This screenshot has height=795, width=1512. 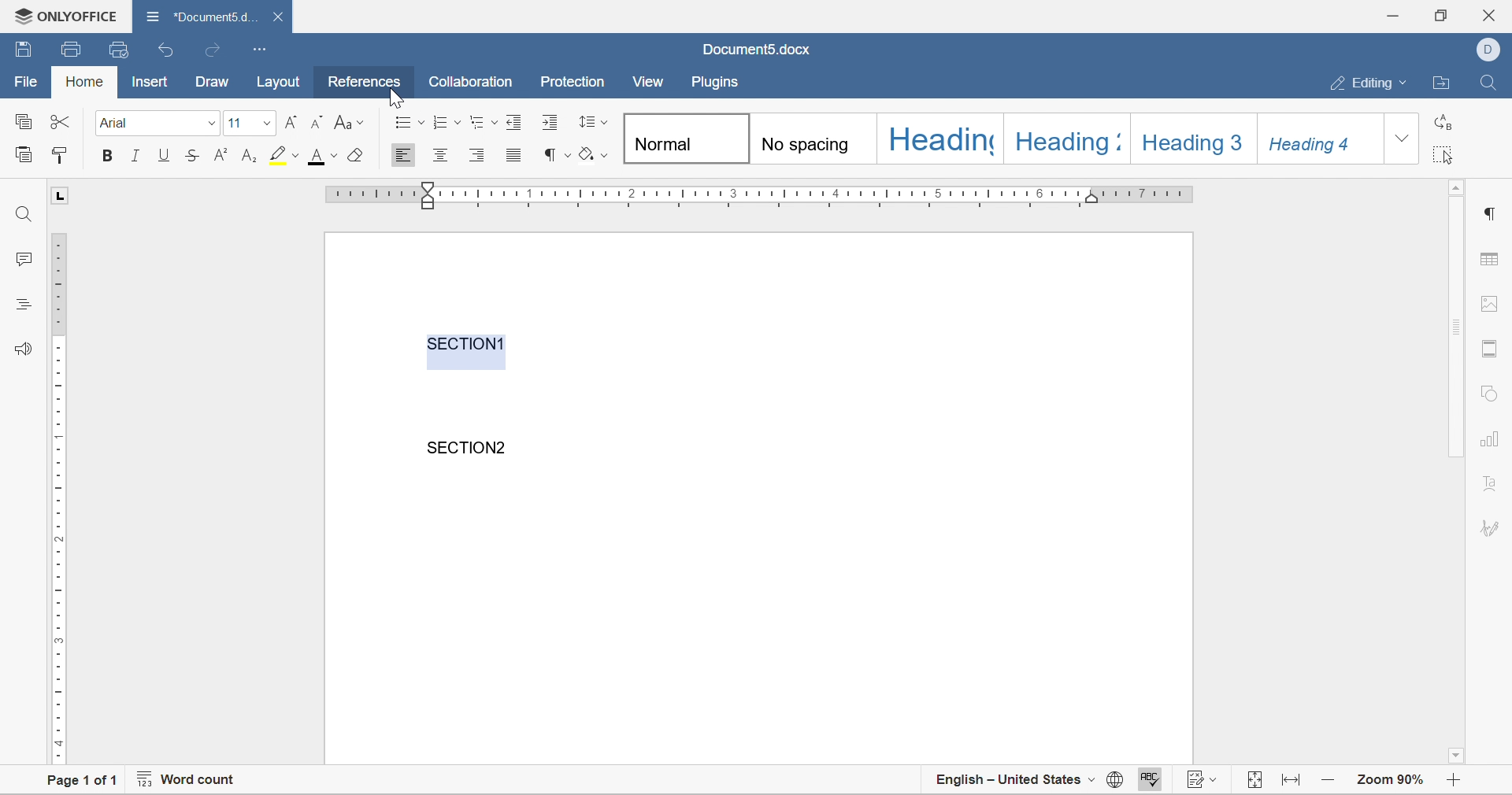 I want to click on file, so click(x=24, y=82).